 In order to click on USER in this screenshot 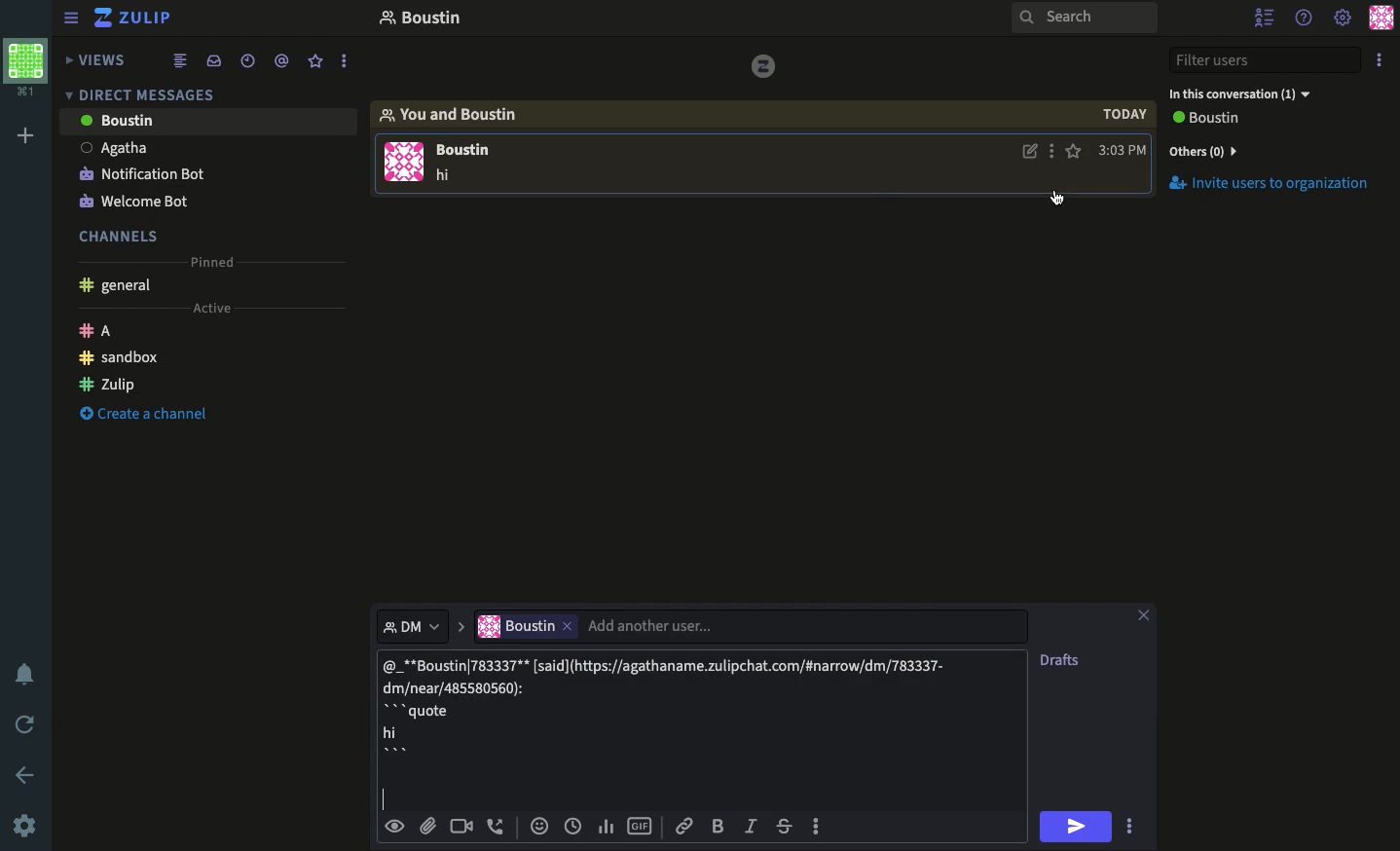, I will do `click(471, 152)`.